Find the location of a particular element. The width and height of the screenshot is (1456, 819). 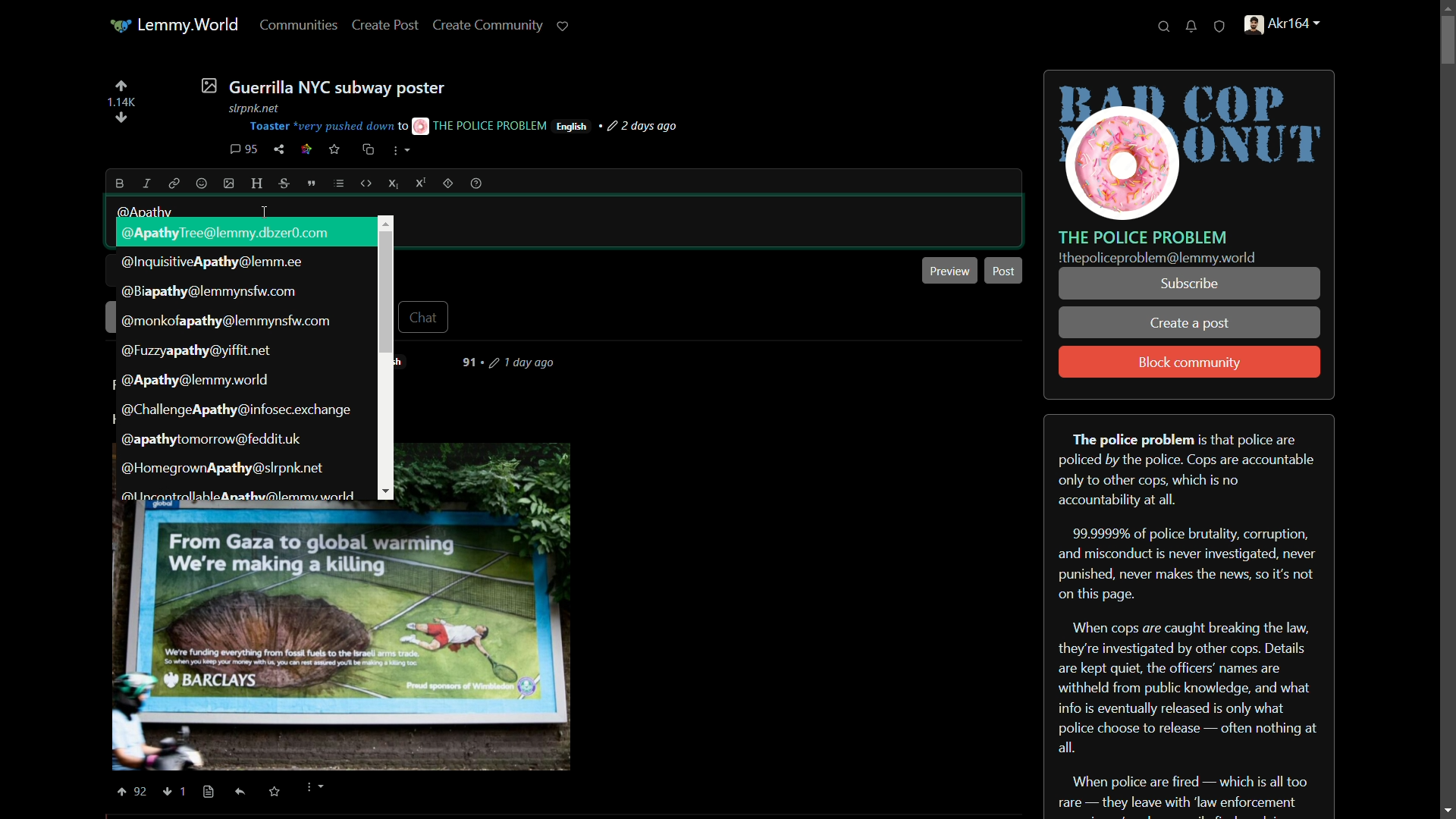

subscript is located at coordinates (395, 184).